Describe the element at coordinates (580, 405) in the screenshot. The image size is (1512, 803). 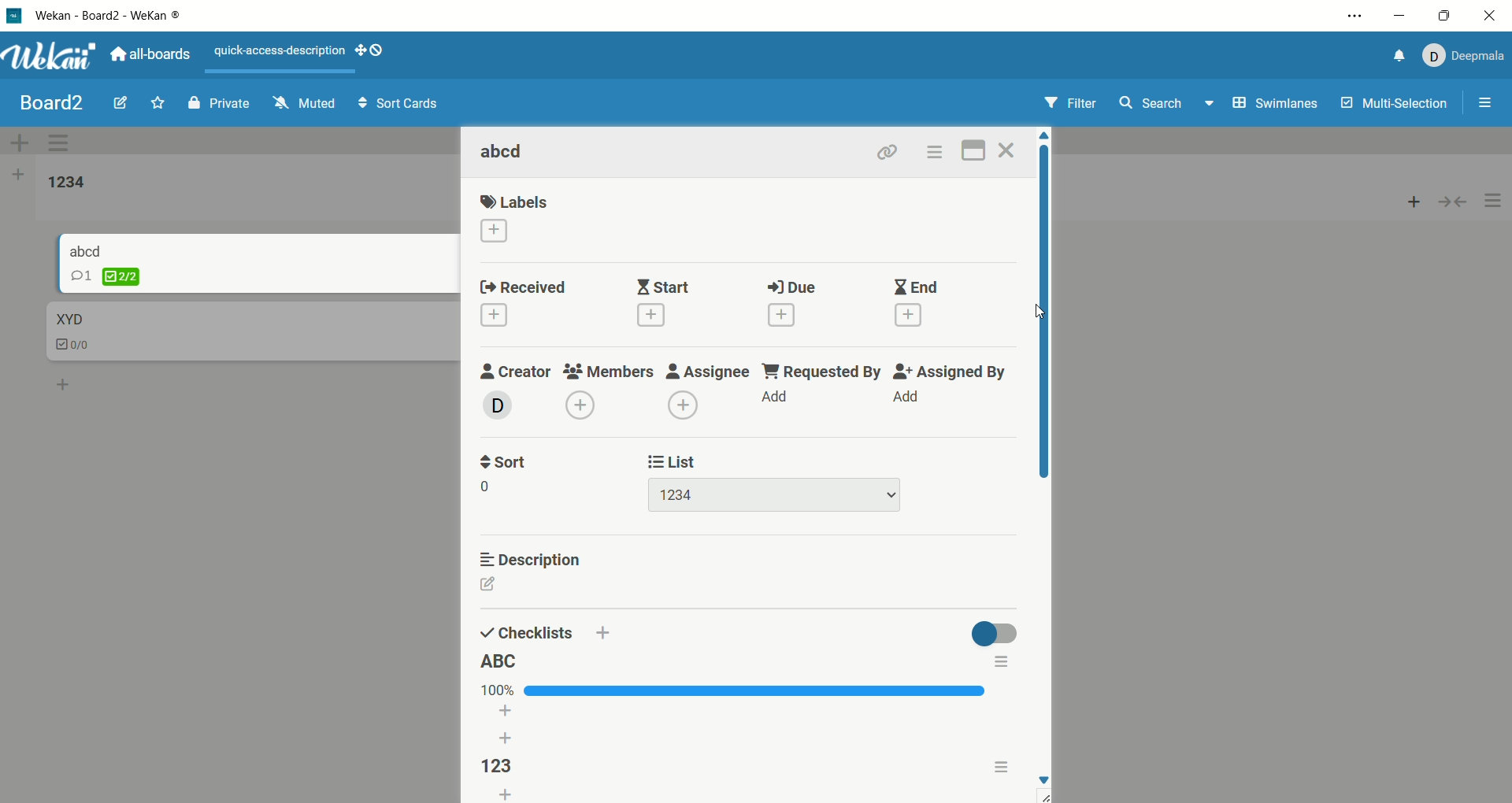
I see `add` at that location.